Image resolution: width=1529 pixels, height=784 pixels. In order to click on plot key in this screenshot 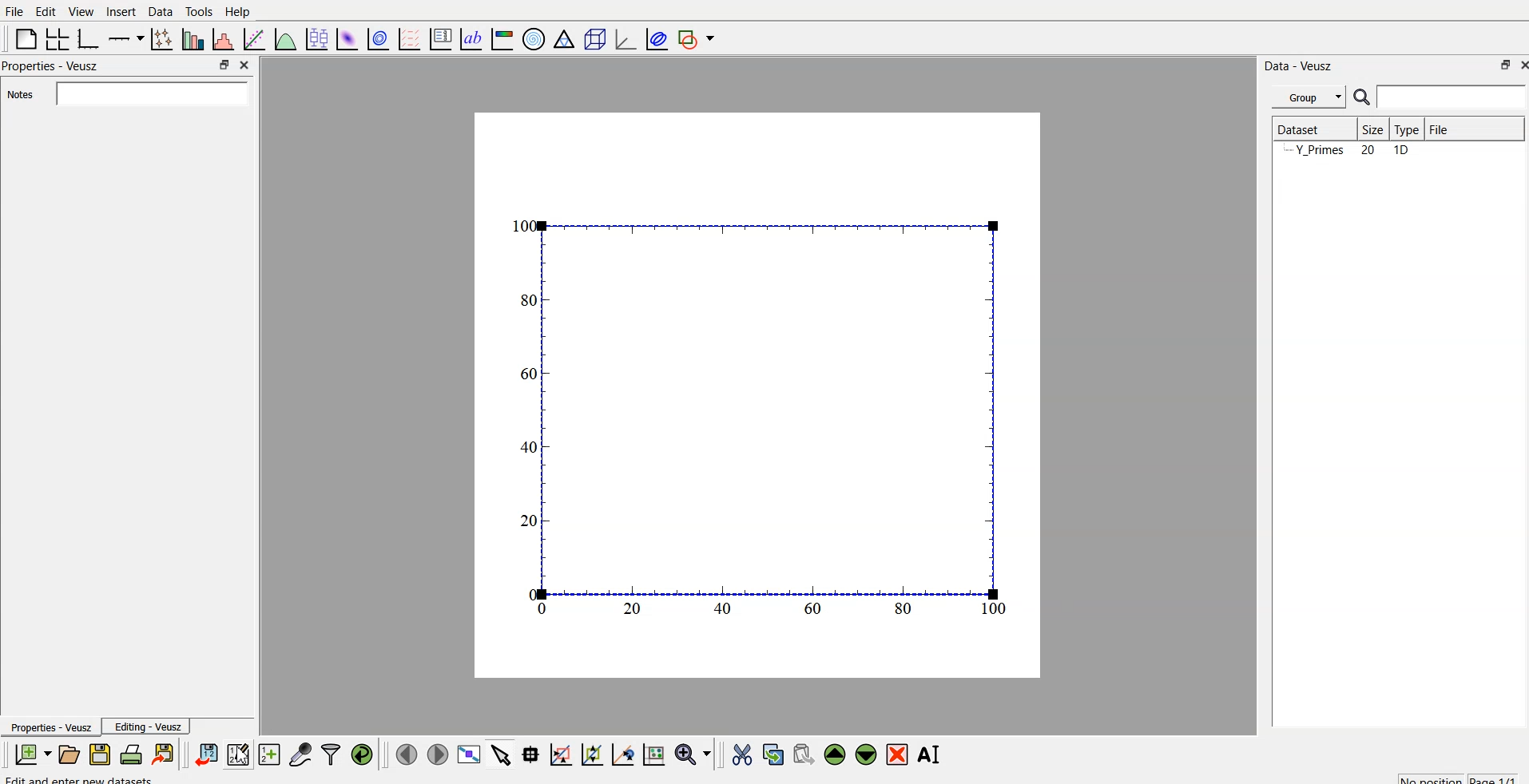, I will do `click(441, 37)`.